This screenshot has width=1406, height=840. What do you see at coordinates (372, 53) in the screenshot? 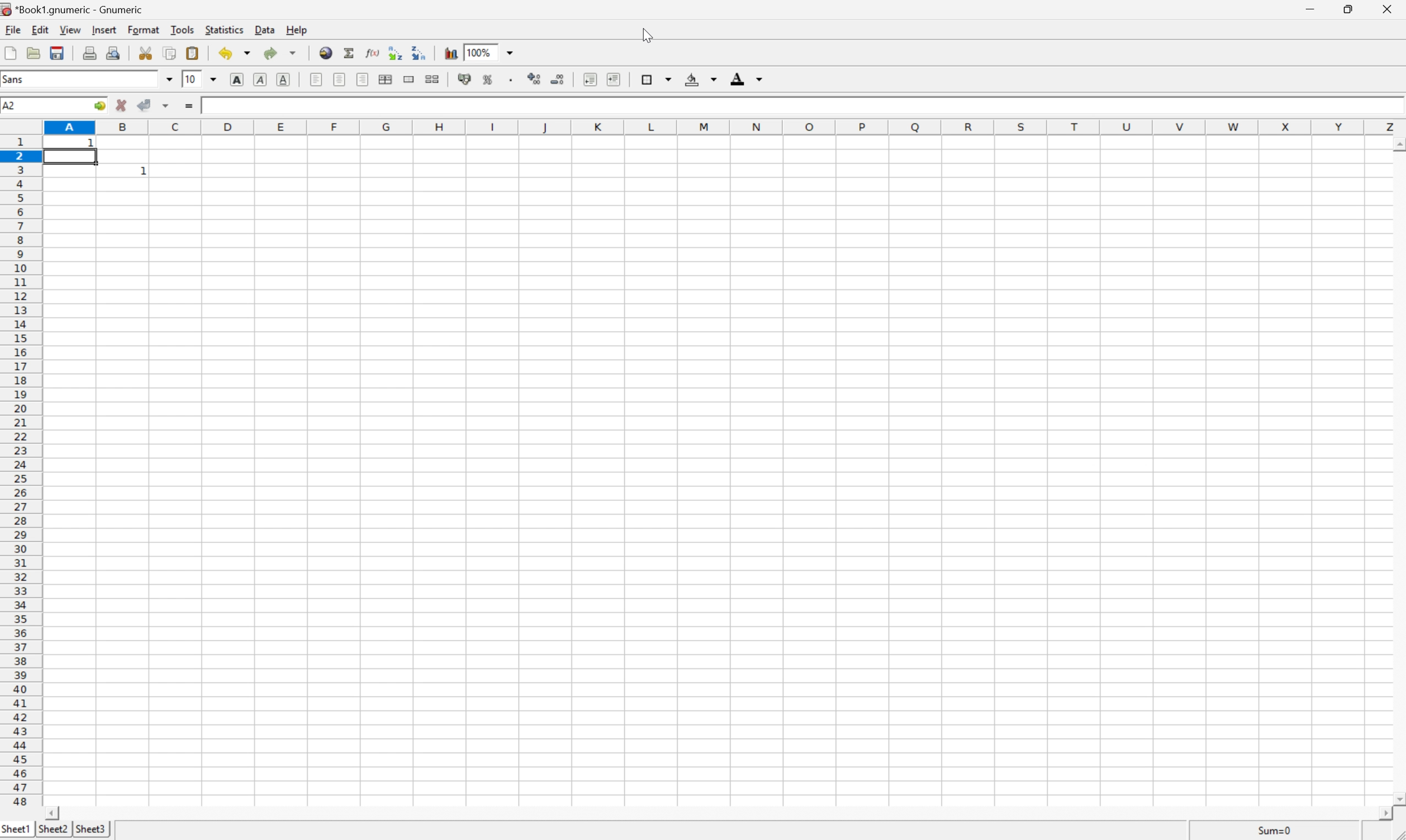
I see `edit function in current cell` at bounding box center [372, 53].